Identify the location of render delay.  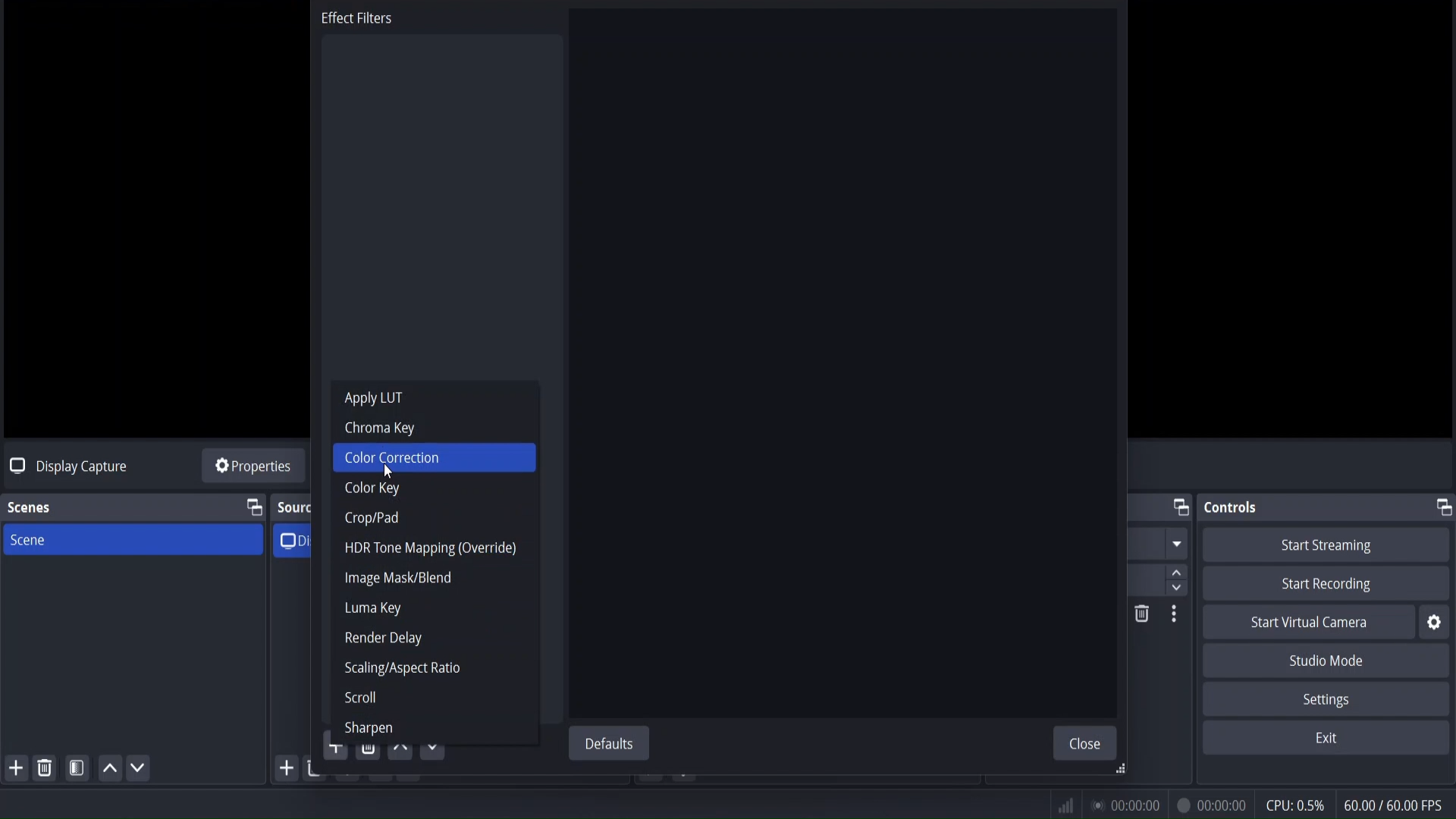
(384, 639).